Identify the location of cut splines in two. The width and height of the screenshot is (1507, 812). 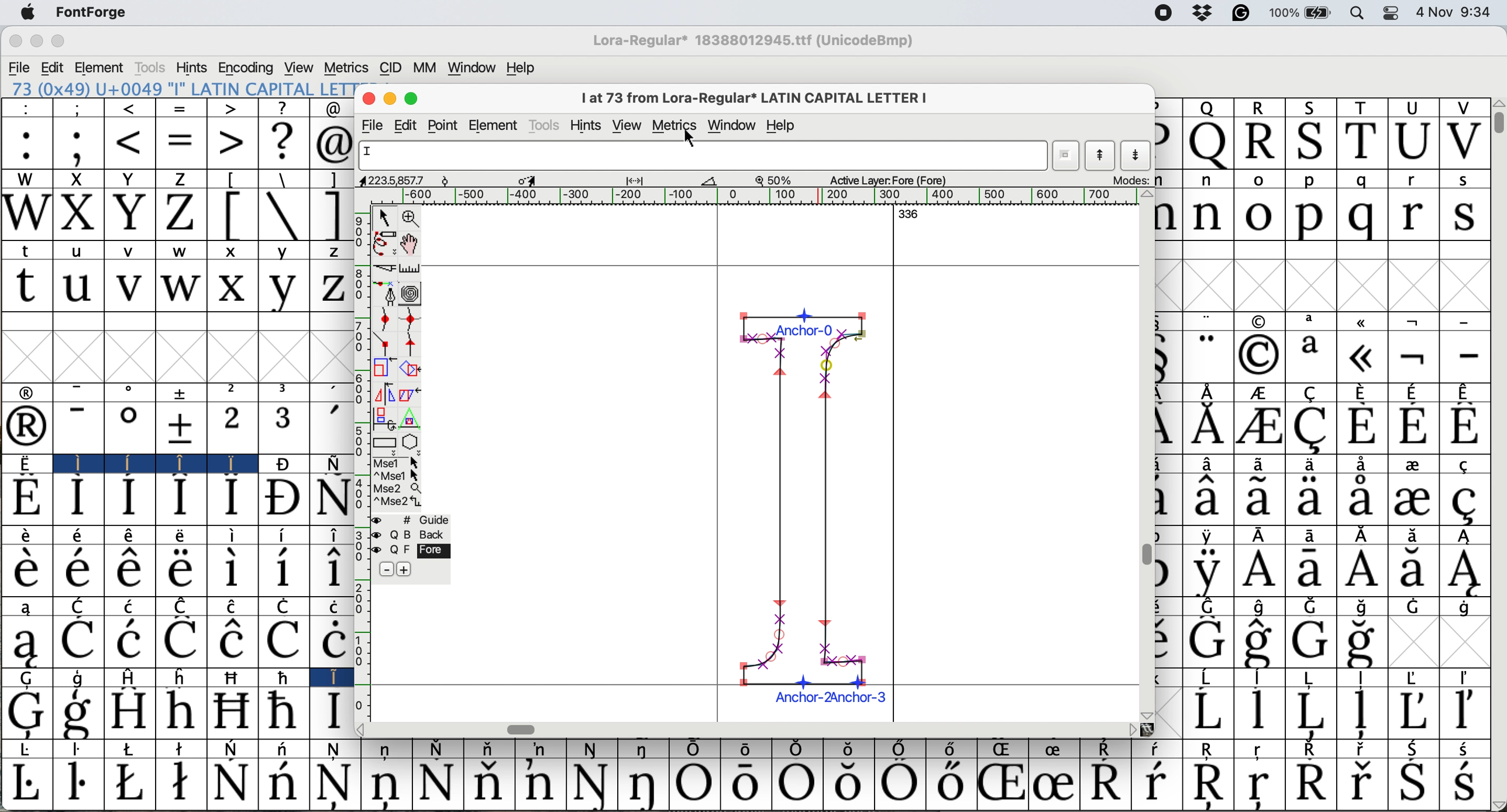
(386, 267).